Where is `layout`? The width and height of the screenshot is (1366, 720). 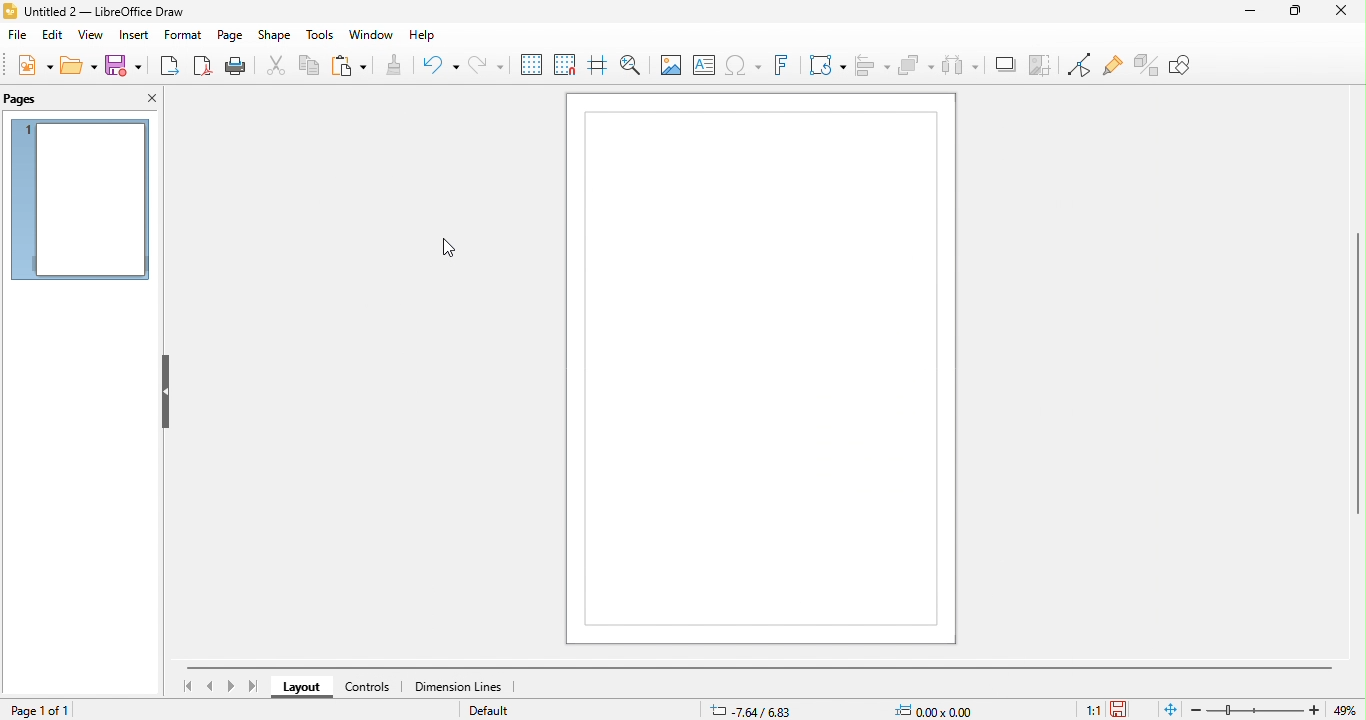
layout is located at coordinates (299, 689).